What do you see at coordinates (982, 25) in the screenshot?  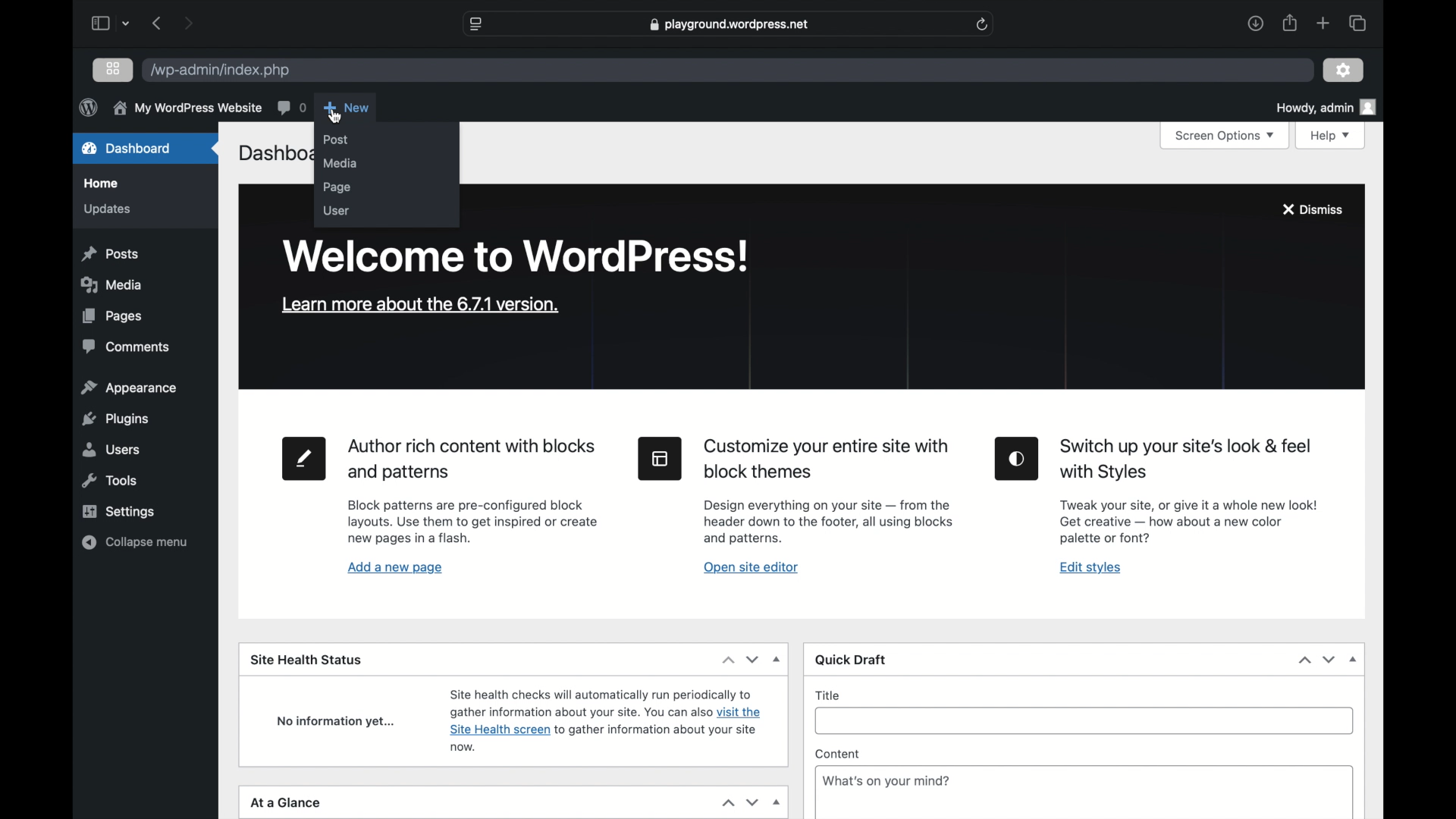 I see `refresh` at bounding box center [982, 25].